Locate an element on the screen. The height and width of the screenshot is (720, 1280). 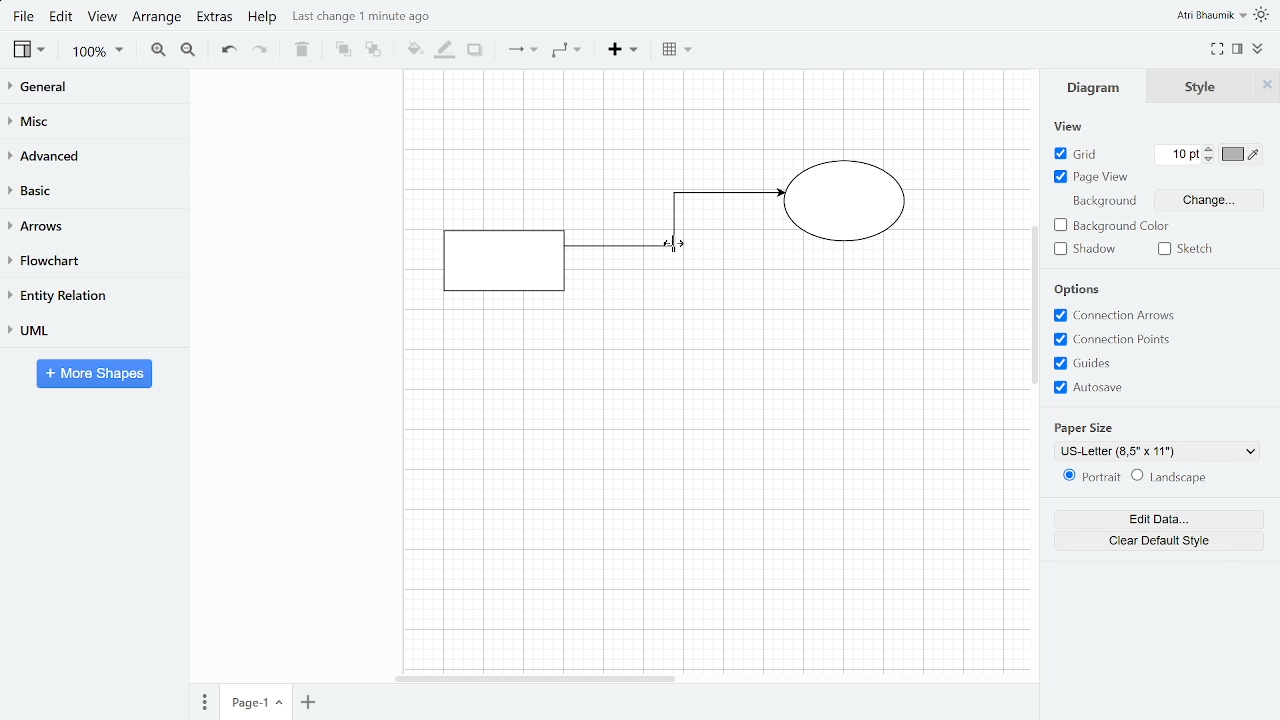
Style is located at coordinates (1202, 87).